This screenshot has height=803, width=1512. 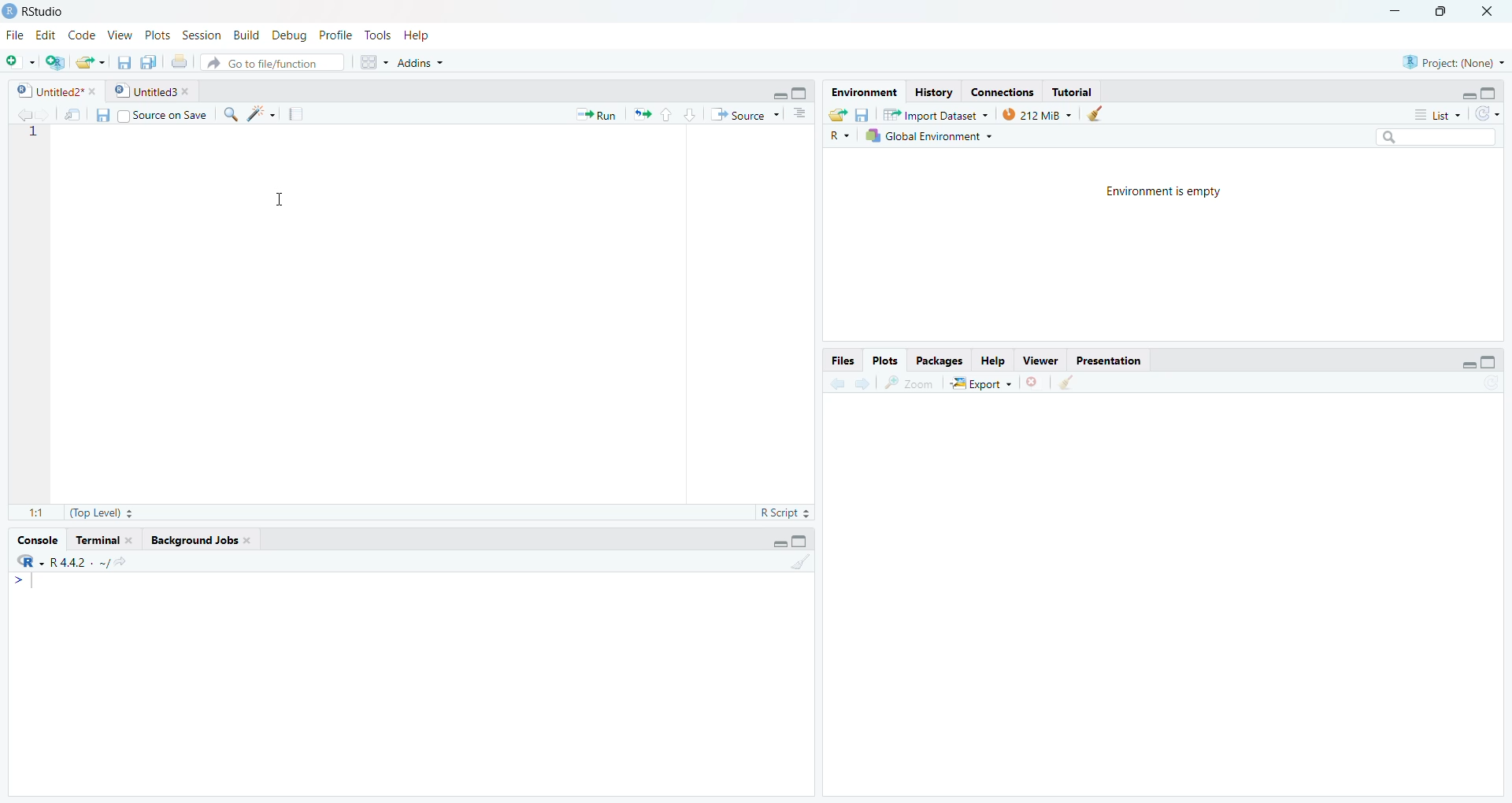 I want to click on minimize, so click(x=1396, y=11).